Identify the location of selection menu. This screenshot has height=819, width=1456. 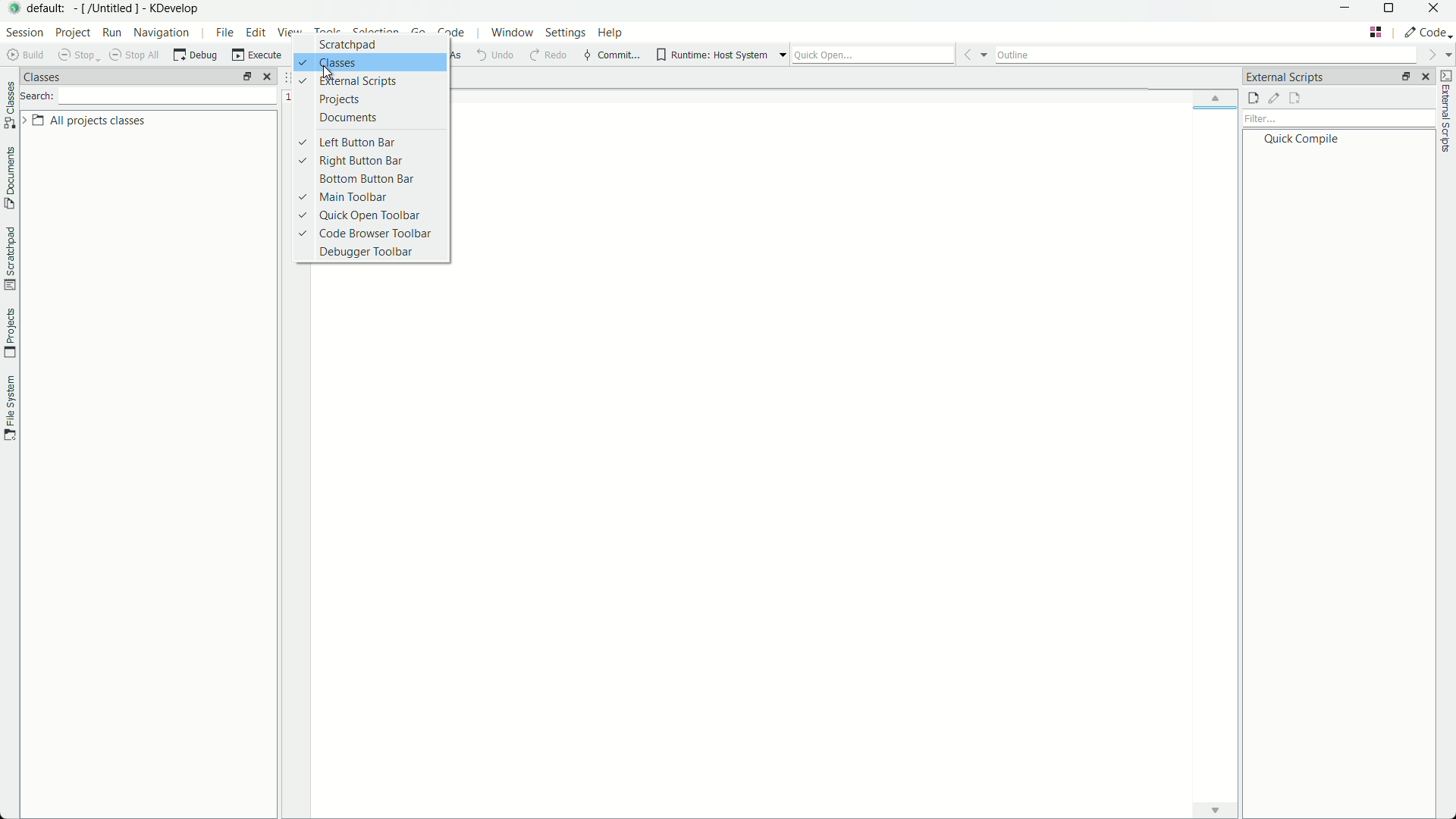
(376, 32).